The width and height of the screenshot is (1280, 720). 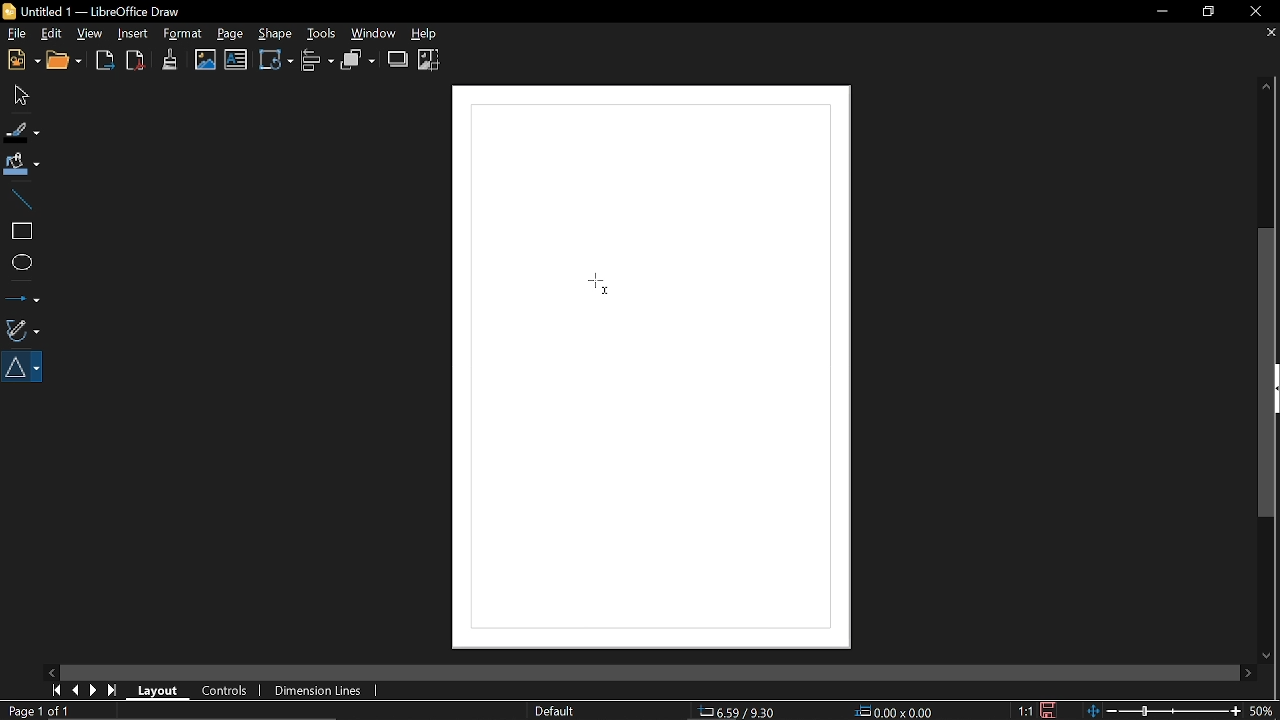 What do you see at coordinates (429, 60) in the screenshot?
I see `Crop` at bounding box center [429, 60].